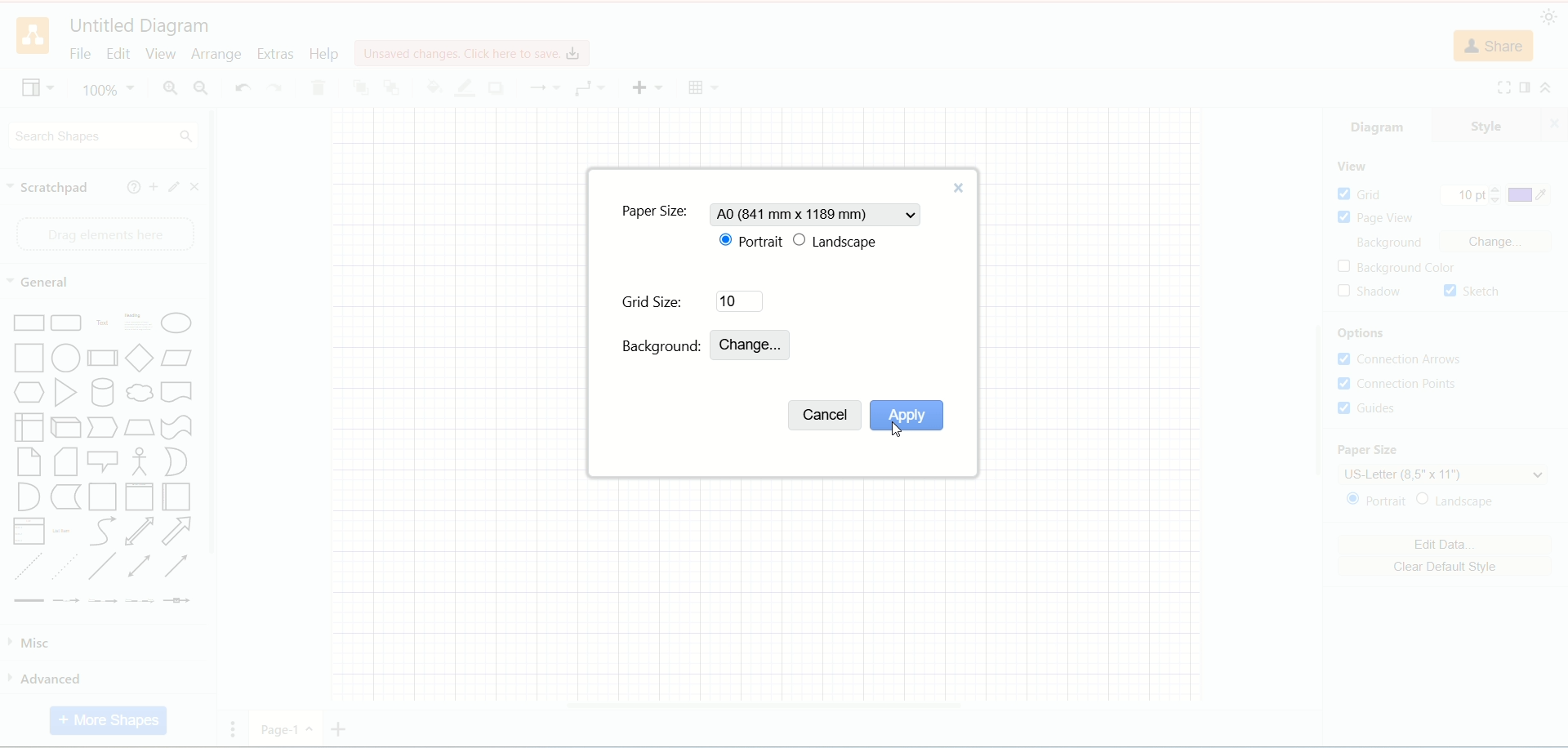  What do you see at coordinates (109, 720) in the screenshot?
I see `more shapes` at bounding box center [109, 720].